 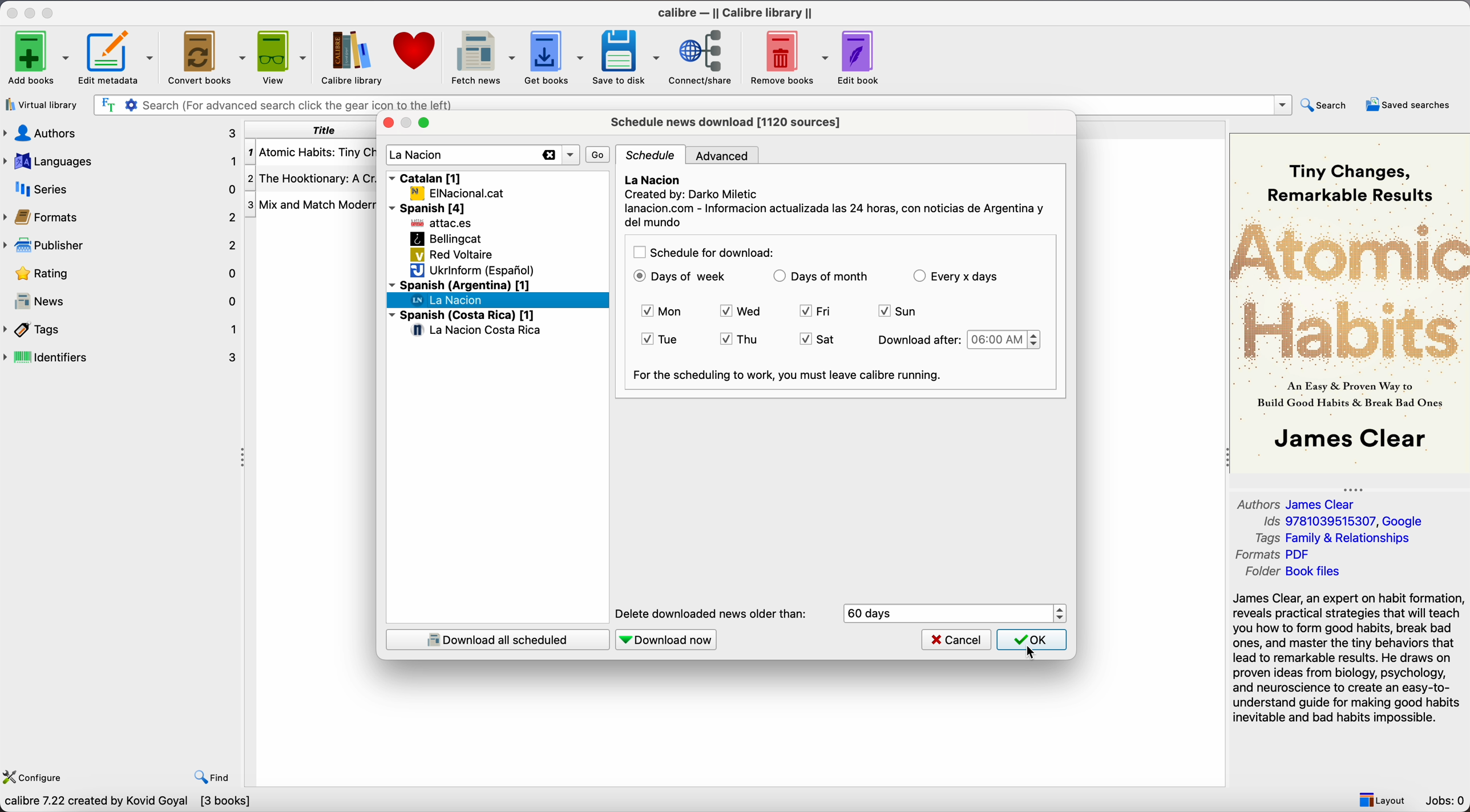 What do you see at coordinates (312, 179) in the screenshot?
I see `The Hooktionary: A Cr...` at bounding box center [312, 179].